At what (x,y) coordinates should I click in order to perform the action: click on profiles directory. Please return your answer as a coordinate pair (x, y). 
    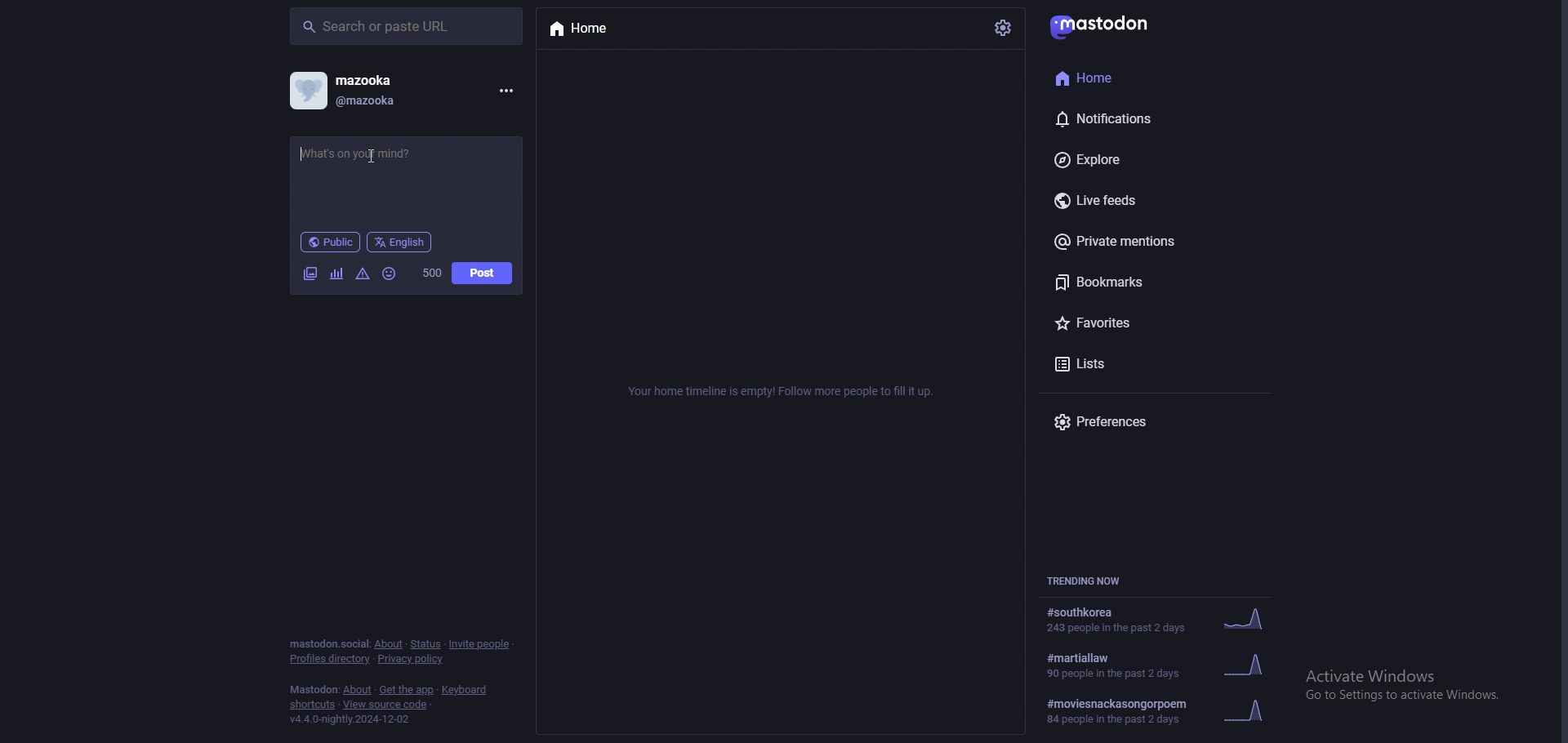
    Looking at the image, I should click on (331, 659).